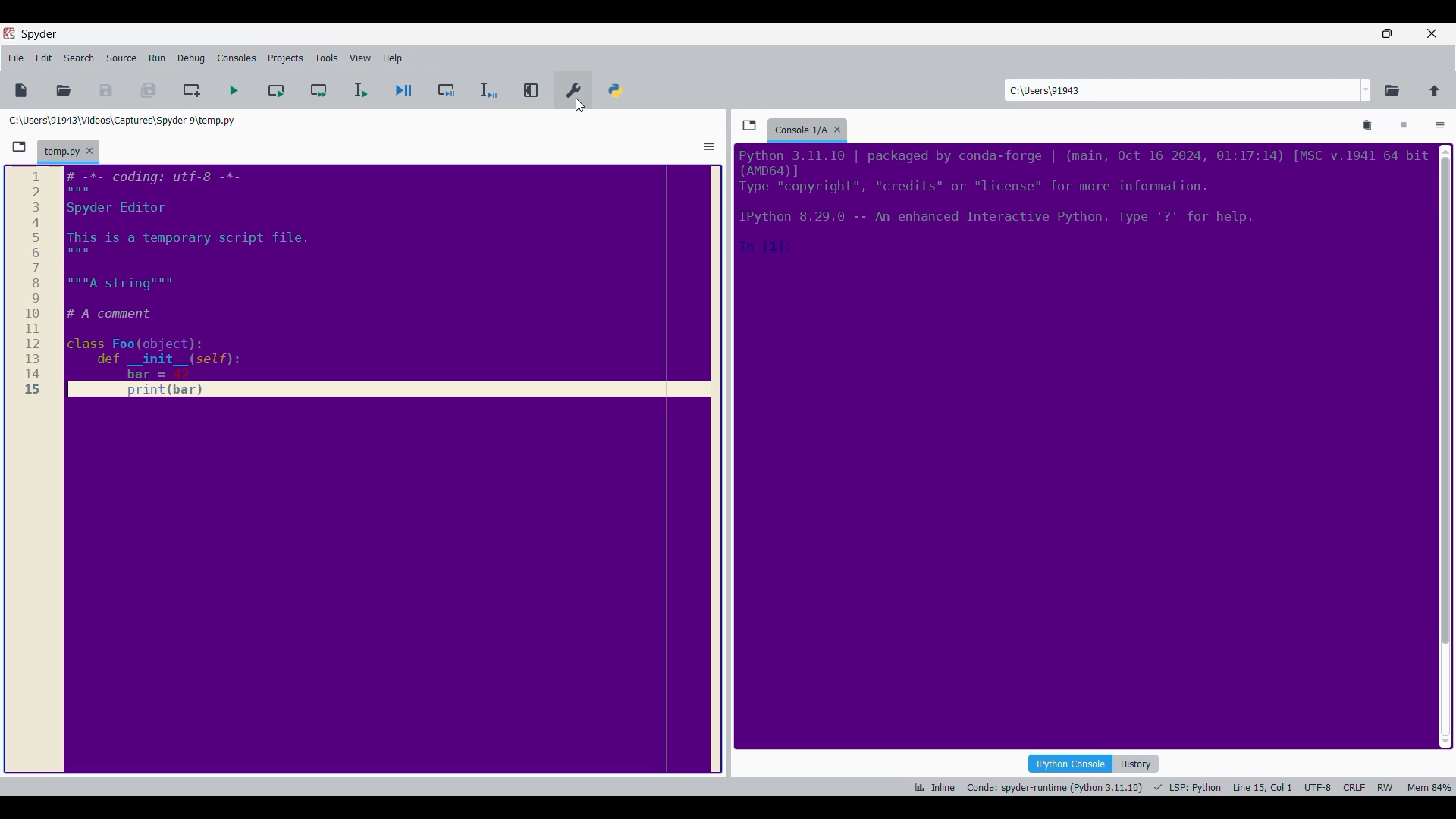  I want to click on Consoles menu, so click(237, 58).